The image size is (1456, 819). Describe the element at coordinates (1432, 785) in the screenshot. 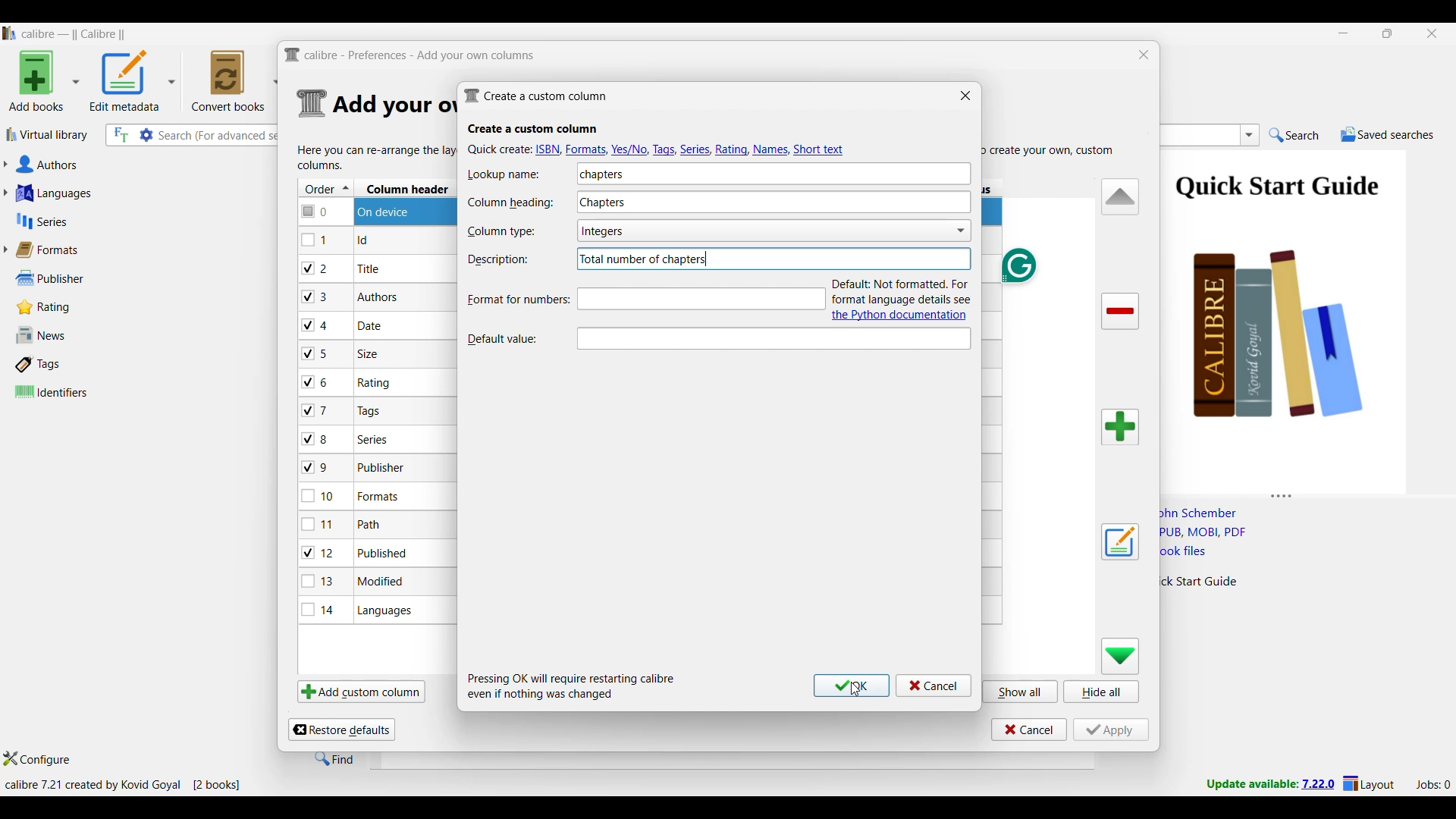

I see `Current jobs` at that location.